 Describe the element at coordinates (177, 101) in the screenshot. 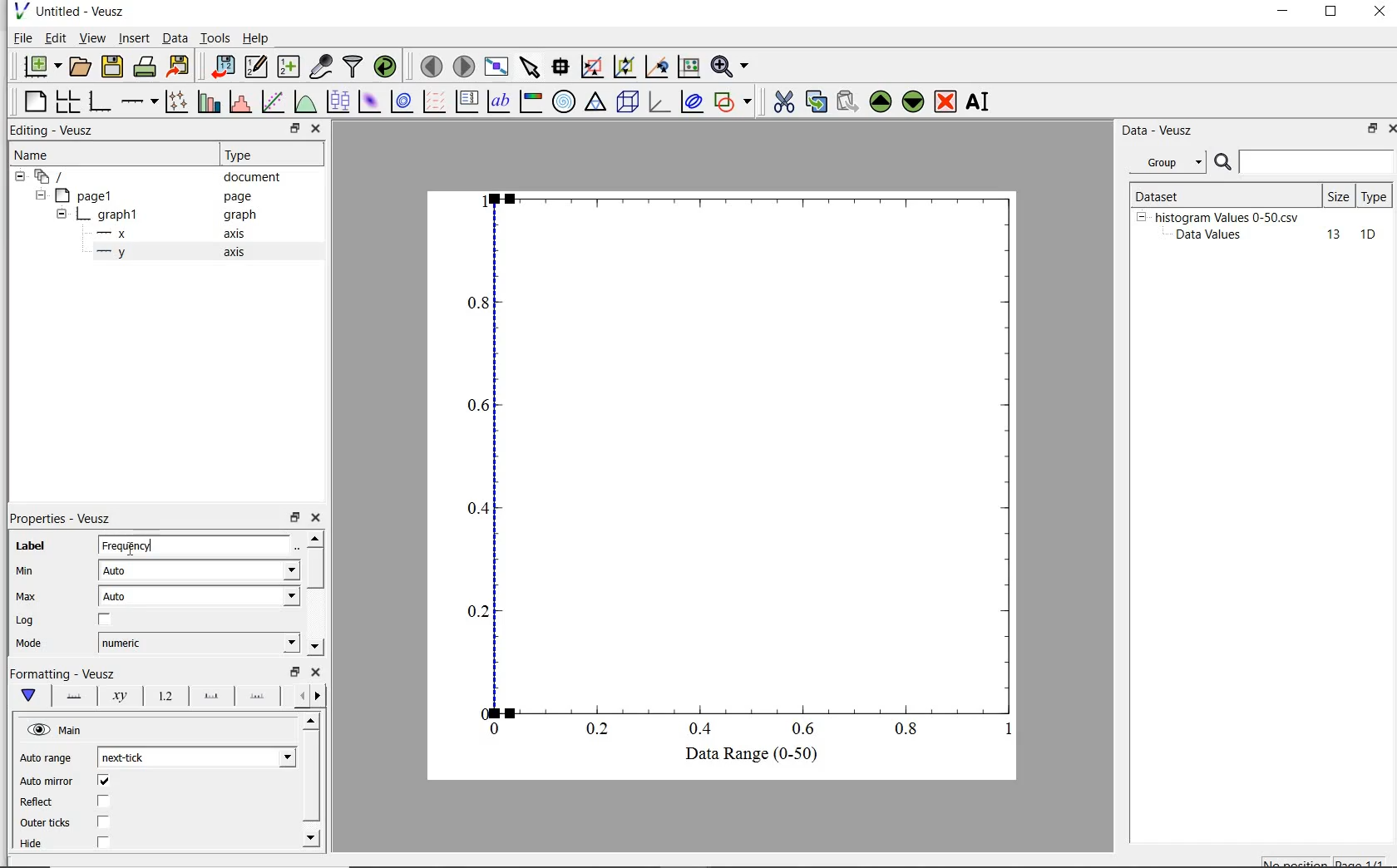

I see `plot points with line and error bars` at that location.